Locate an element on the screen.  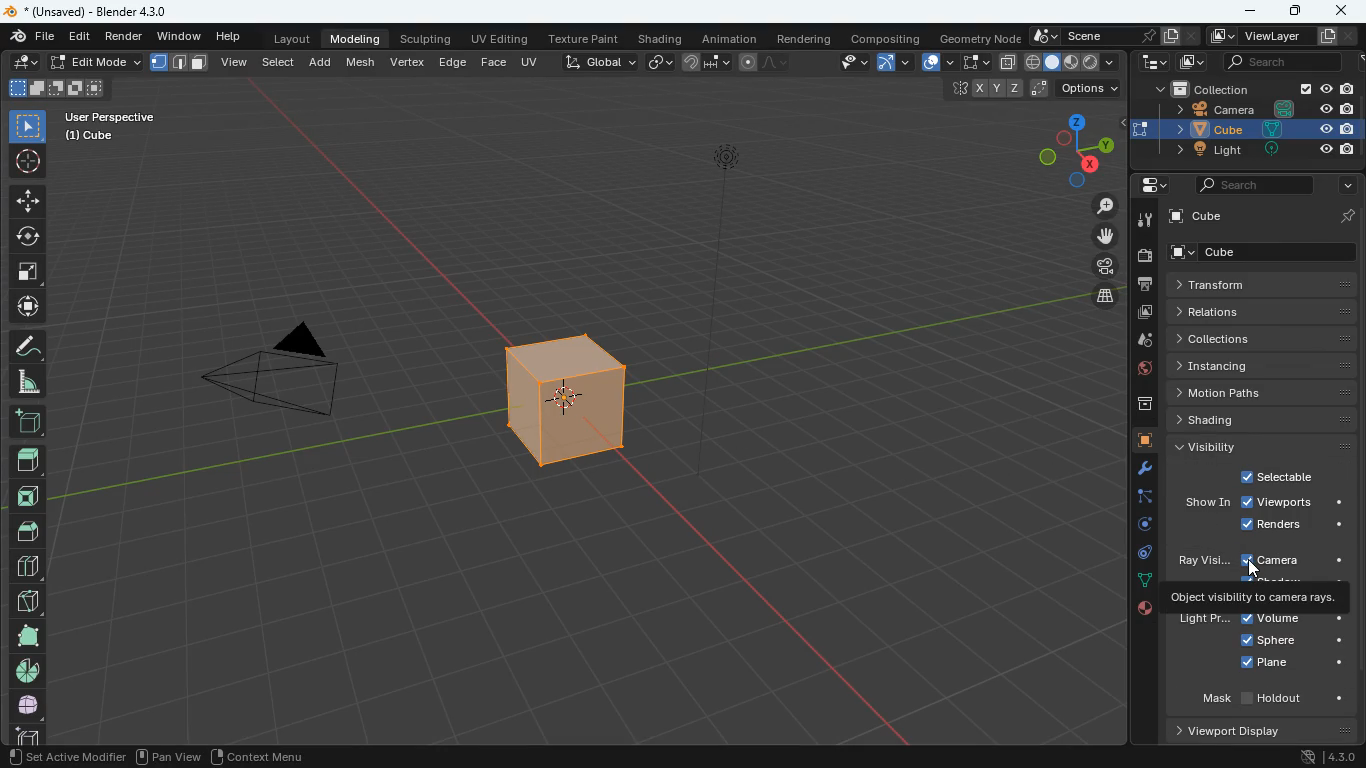
drop is located at coordinates (1141, 340).